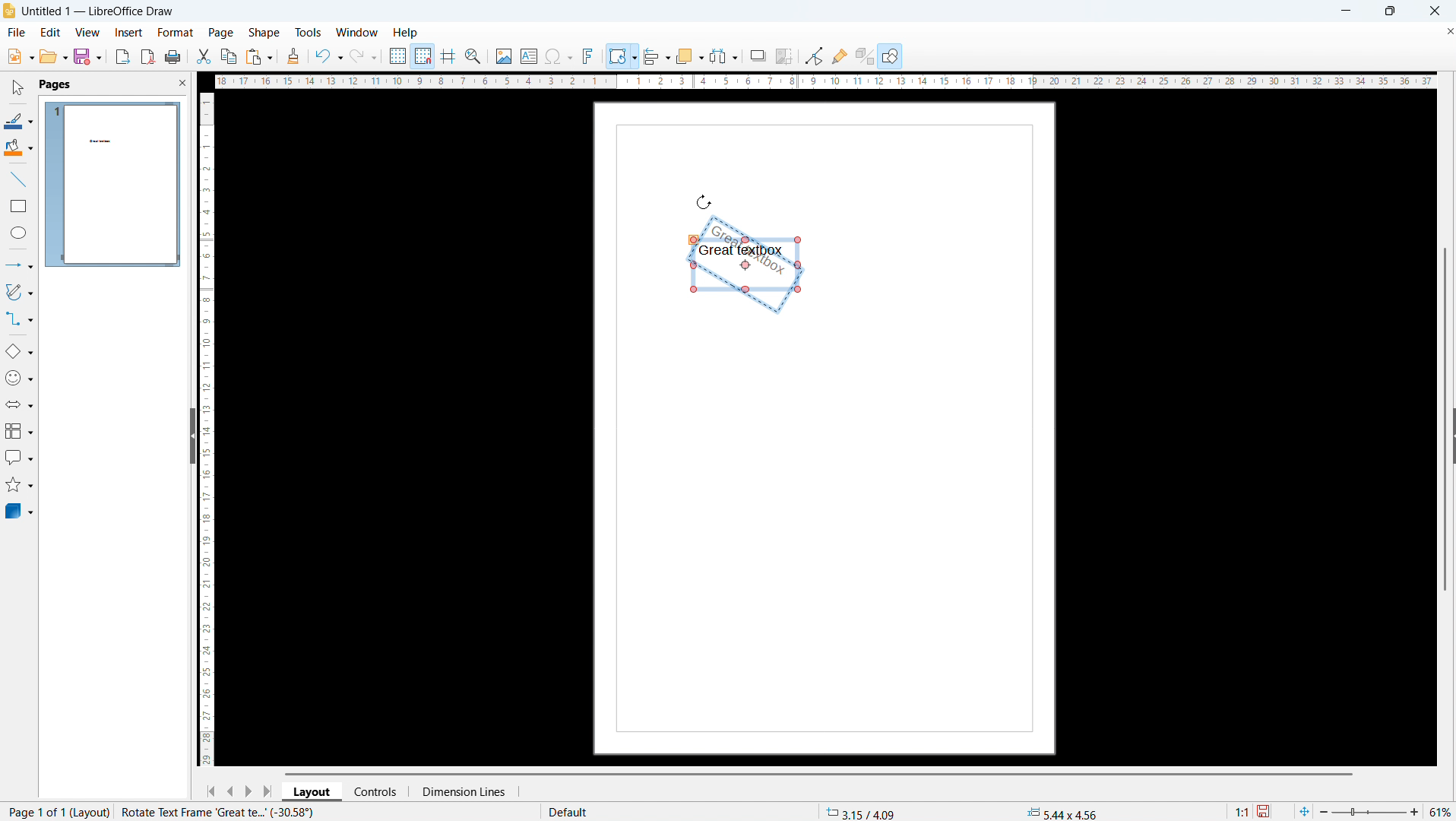 Image resolution: width=1456 pixels, height=821 pixels. I want to click on Page , so click(831, 540).